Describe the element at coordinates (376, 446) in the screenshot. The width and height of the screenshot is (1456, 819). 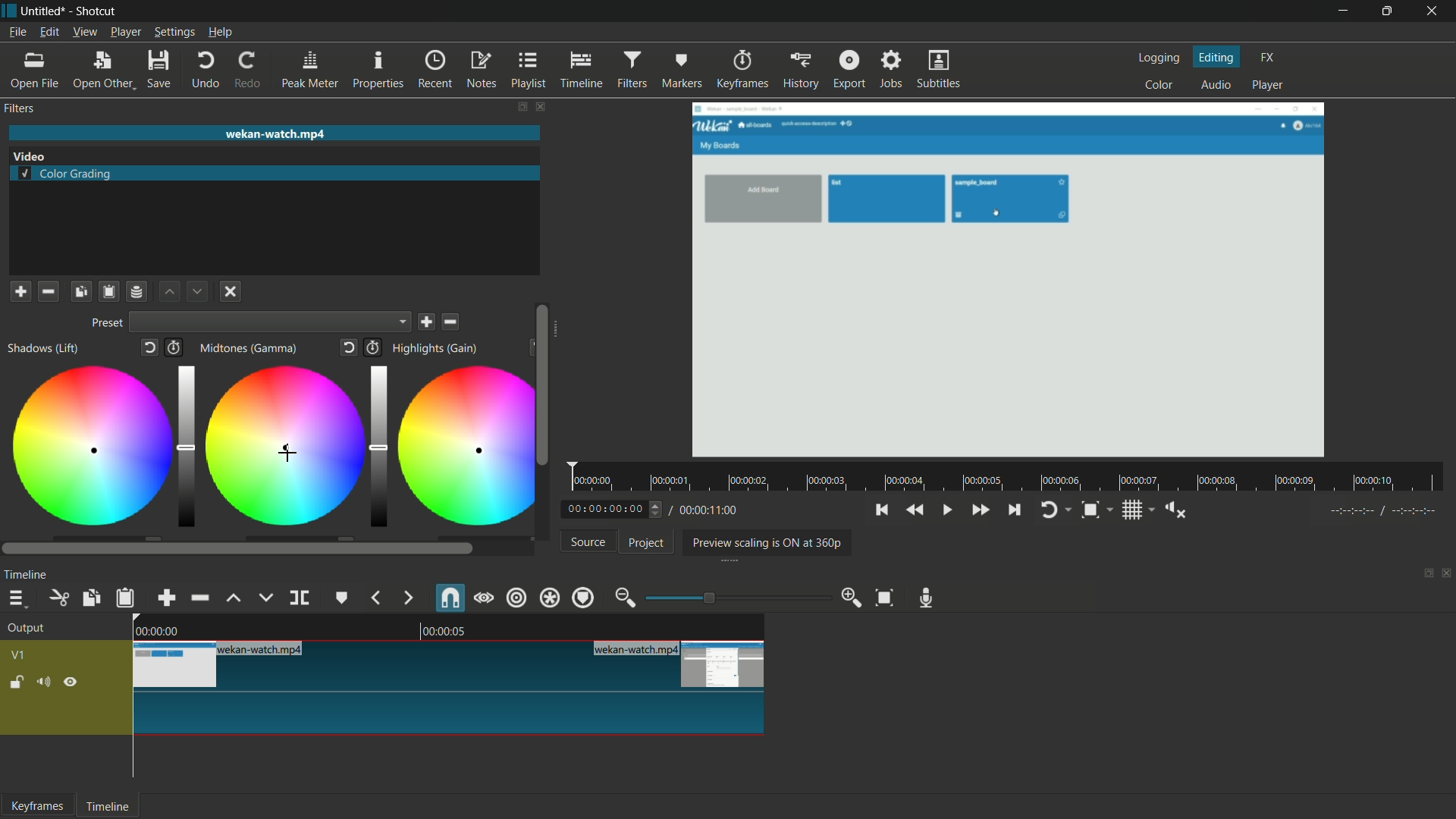
I see `adjustment bar` at that location.